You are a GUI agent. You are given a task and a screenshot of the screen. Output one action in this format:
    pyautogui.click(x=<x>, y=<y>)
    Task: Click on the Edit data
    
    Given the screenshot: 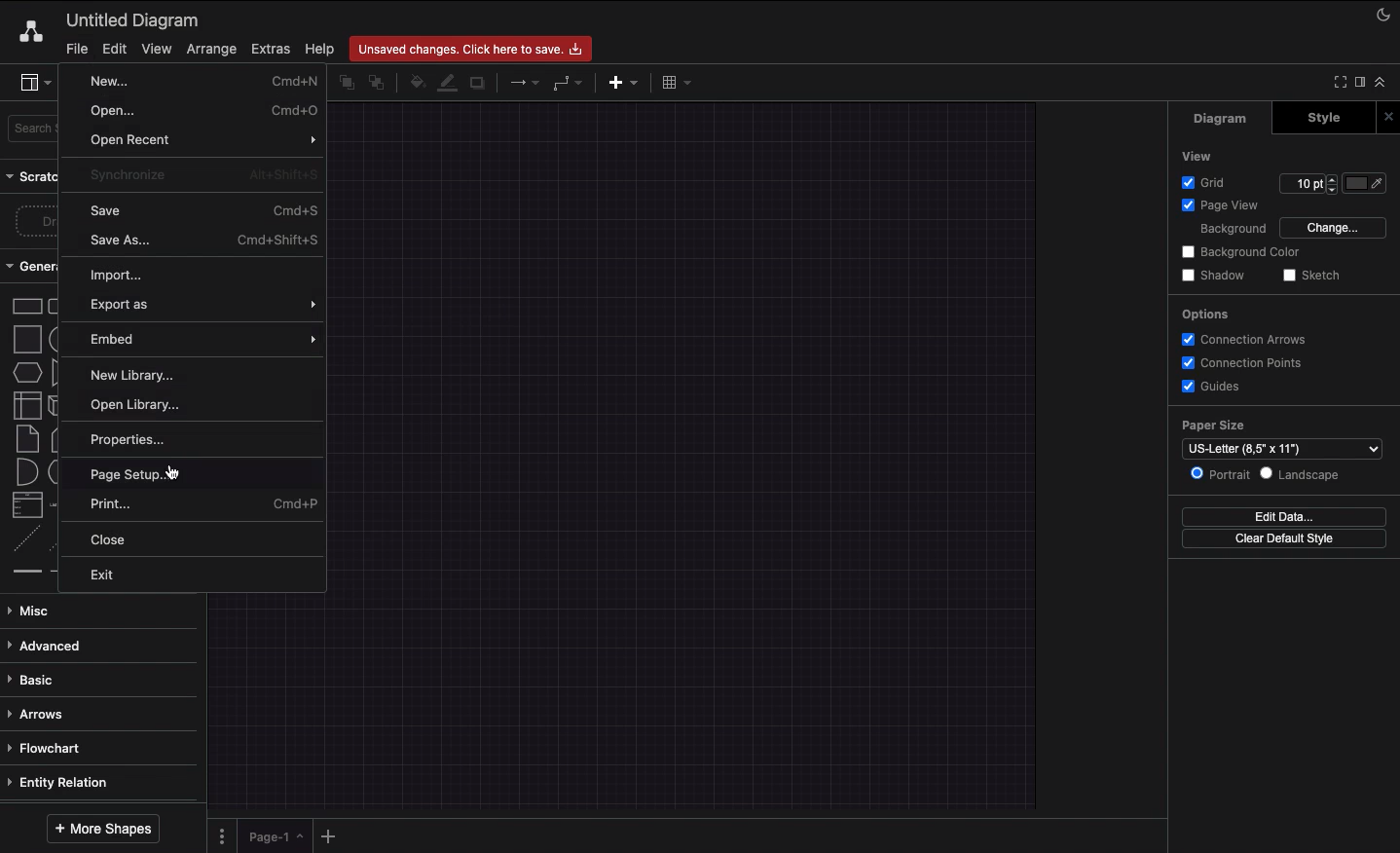 What is the action you would take?
    pyautogui.click(x=1284, y=516)
    